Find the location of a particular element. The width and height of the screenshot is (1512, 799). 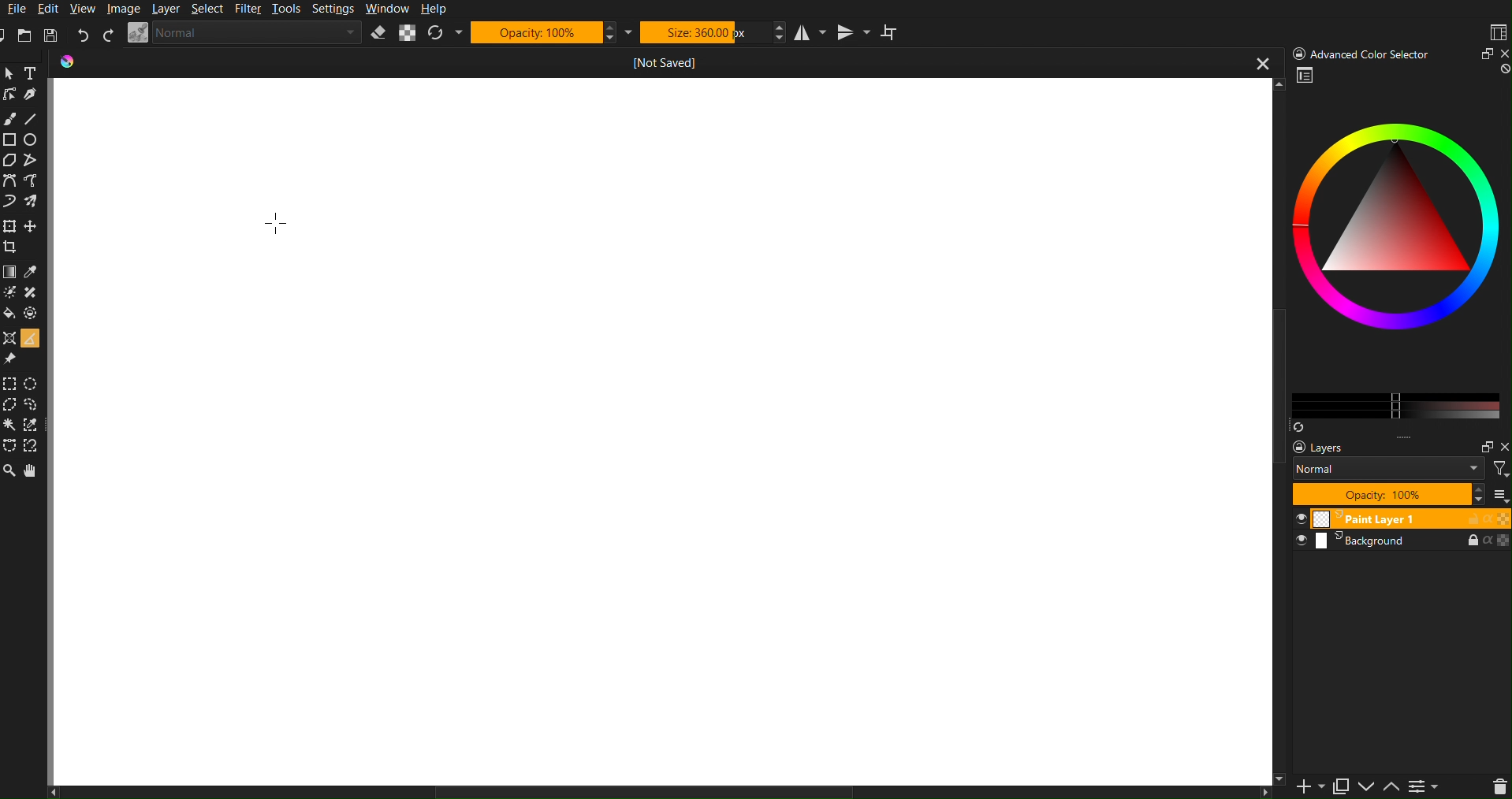

Workspace is located at coordinates (665, 433).